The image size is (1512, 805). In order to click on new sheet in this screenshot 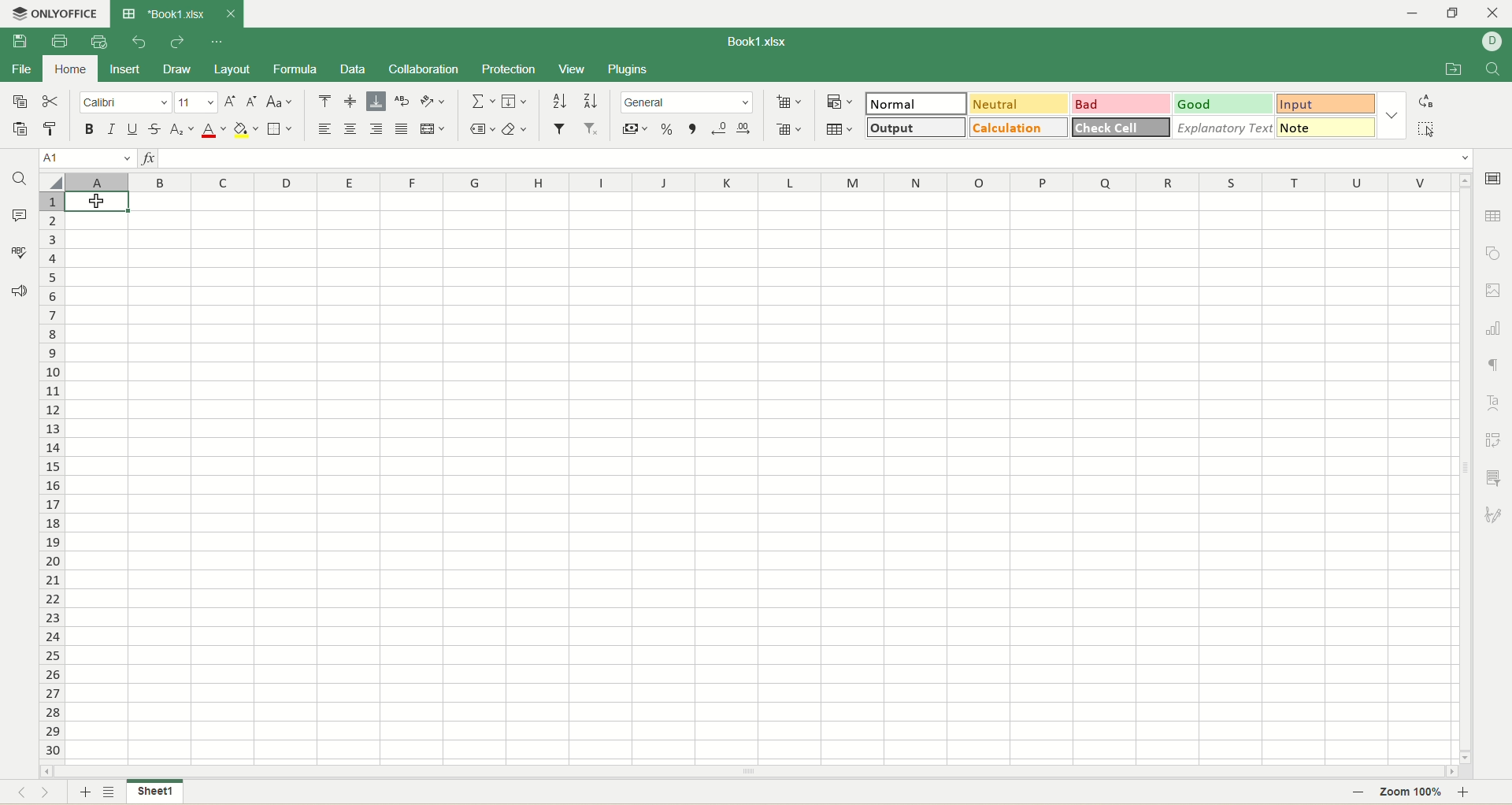, I will do `click(83, 793)`.